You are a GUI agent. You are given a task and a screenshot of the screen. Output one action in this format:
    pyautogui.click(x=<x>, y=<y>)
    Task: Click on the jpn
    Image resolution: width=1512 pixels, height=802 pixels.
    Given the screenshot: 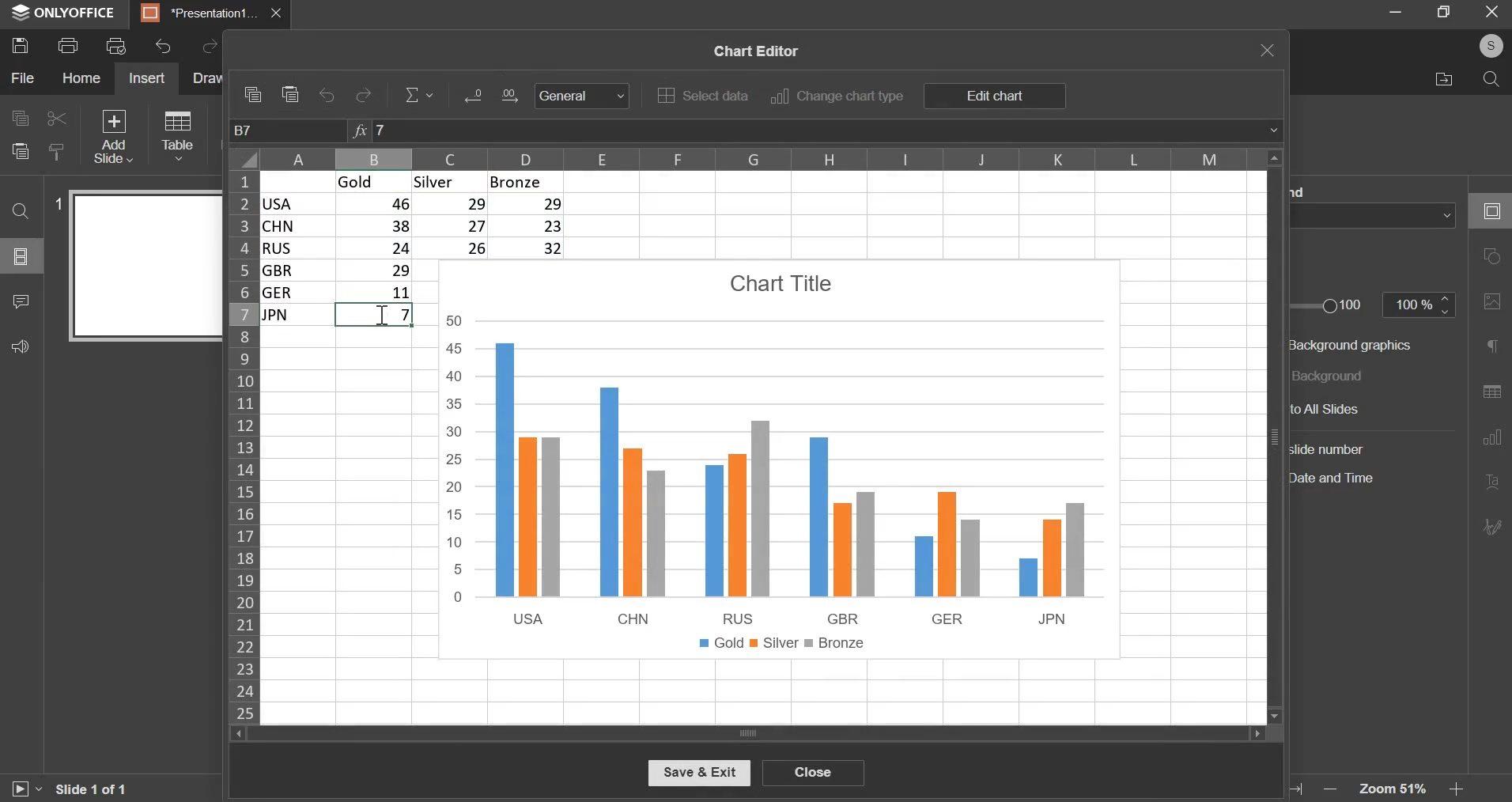 What is the action you would take?
    pyautogui.click(x=297, y=317)
    